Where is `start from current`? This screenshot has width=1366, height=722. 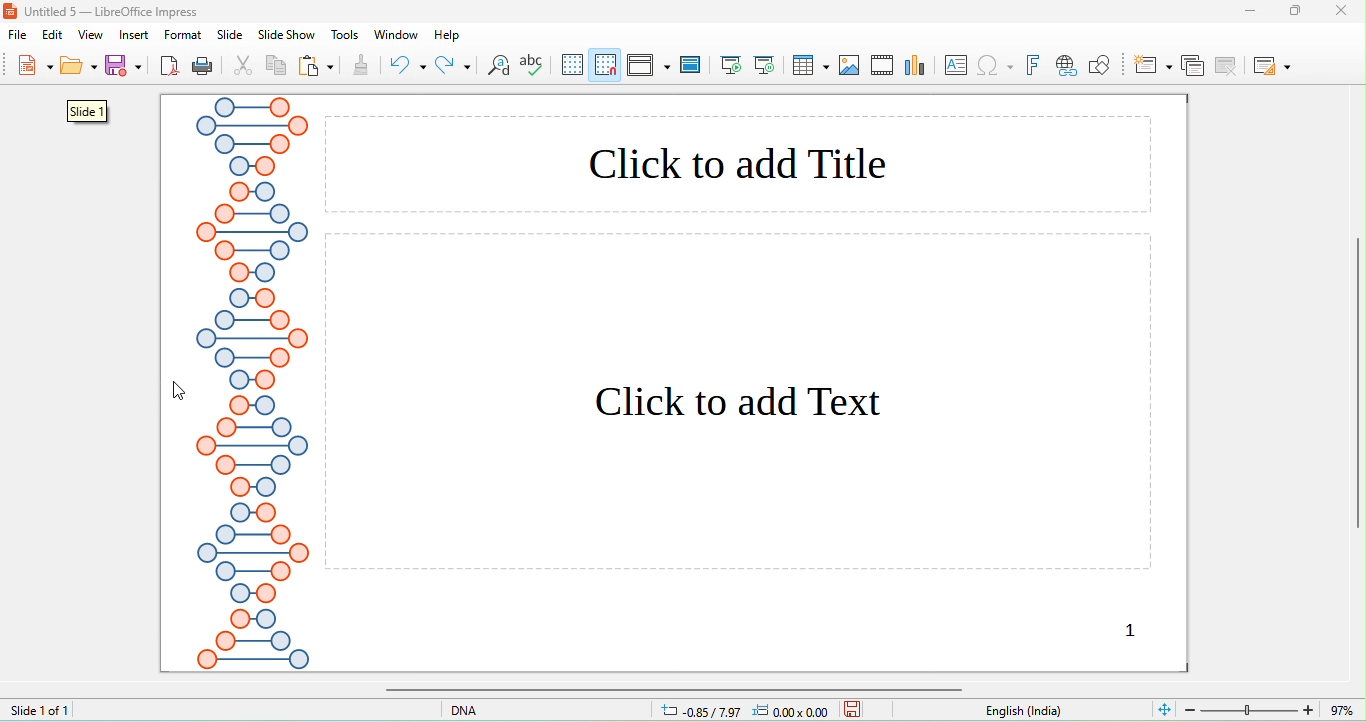 start from current is located at coordinates (764, 63).